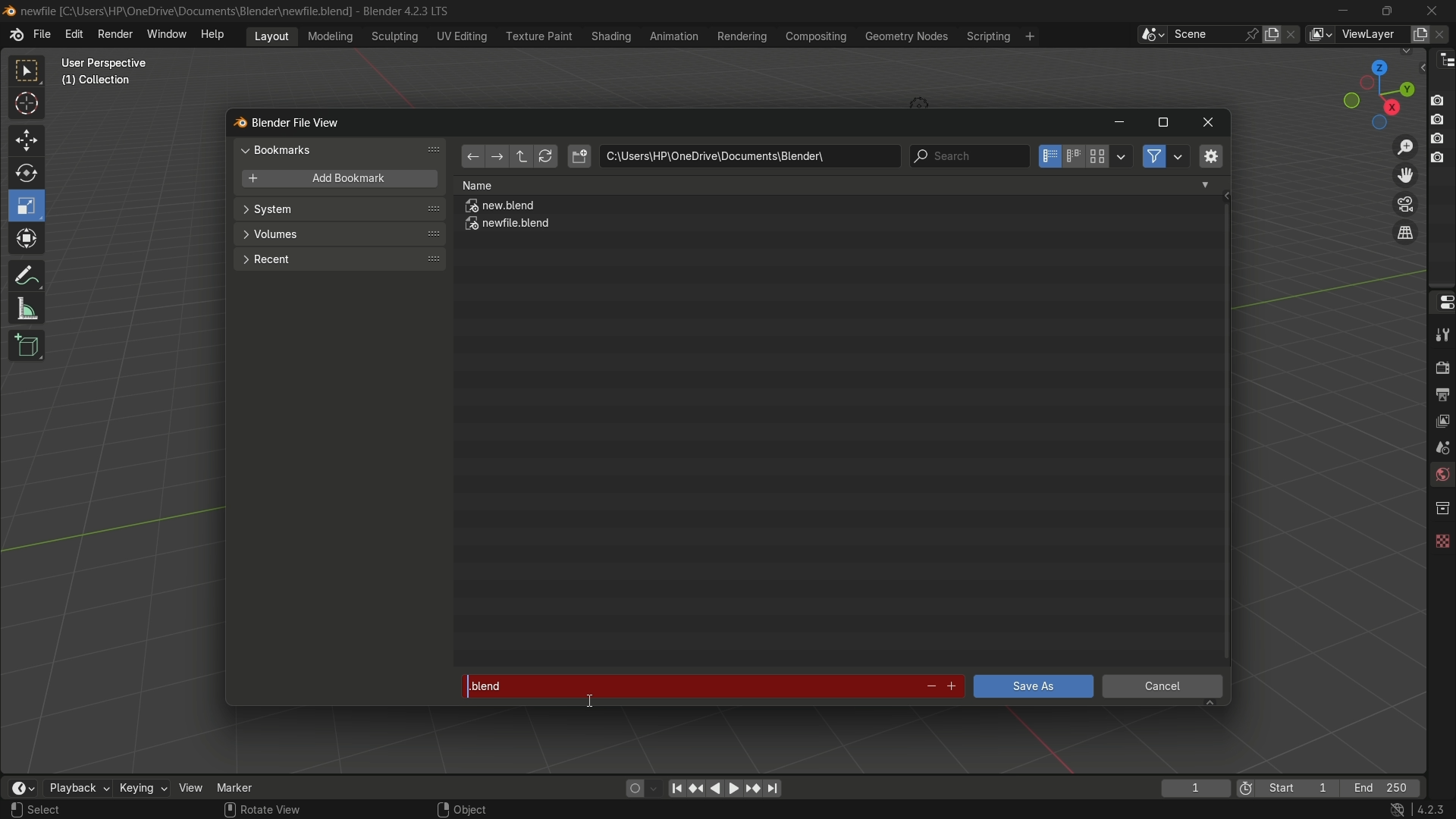  Describe the element at coordinates (929, 688) in the screenshot. I see `decrement number in file name` at that location.